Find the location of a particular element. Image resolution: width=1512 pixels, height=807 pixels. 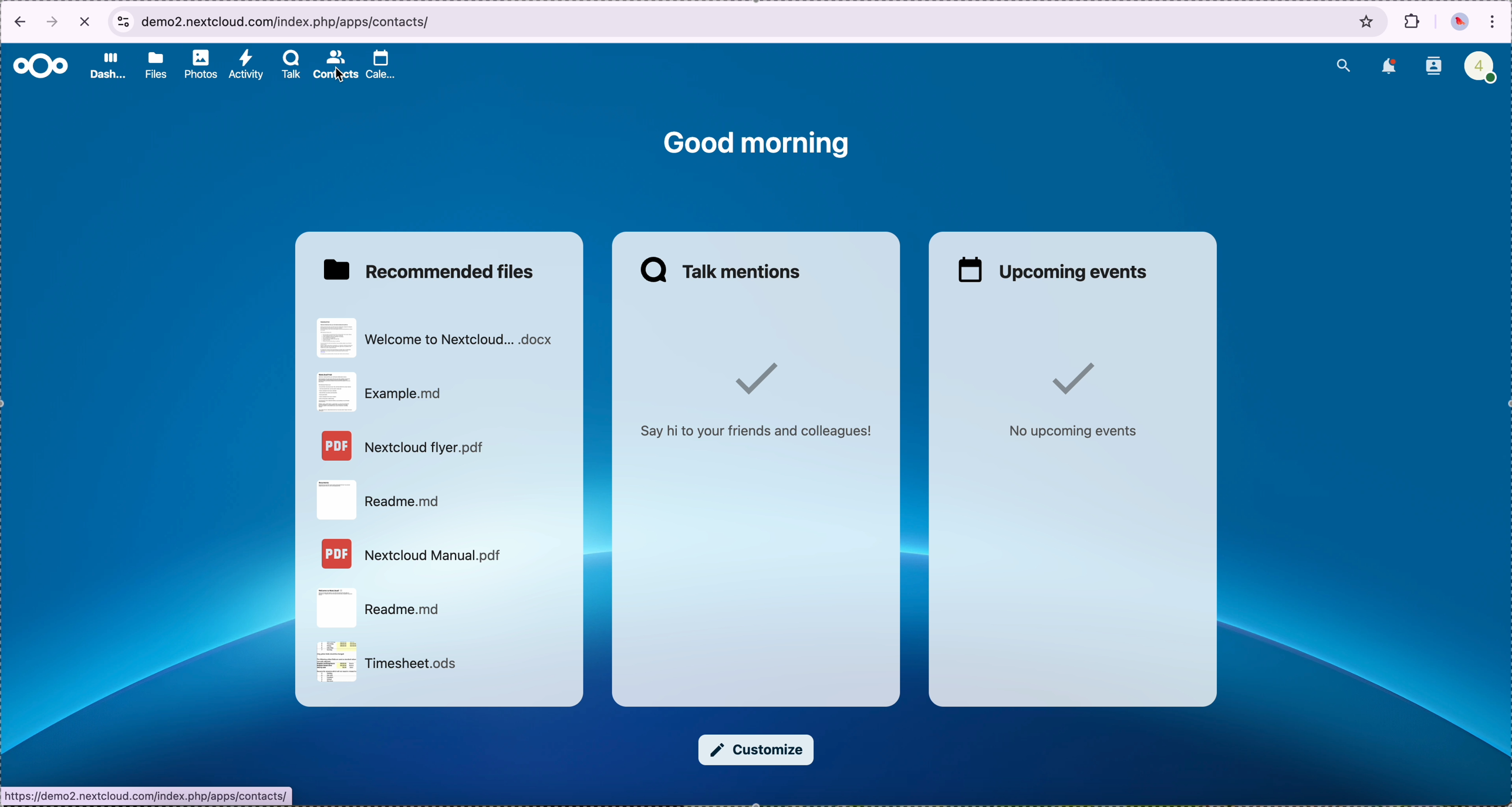

click on contacts is located at coordinates (335, 66).